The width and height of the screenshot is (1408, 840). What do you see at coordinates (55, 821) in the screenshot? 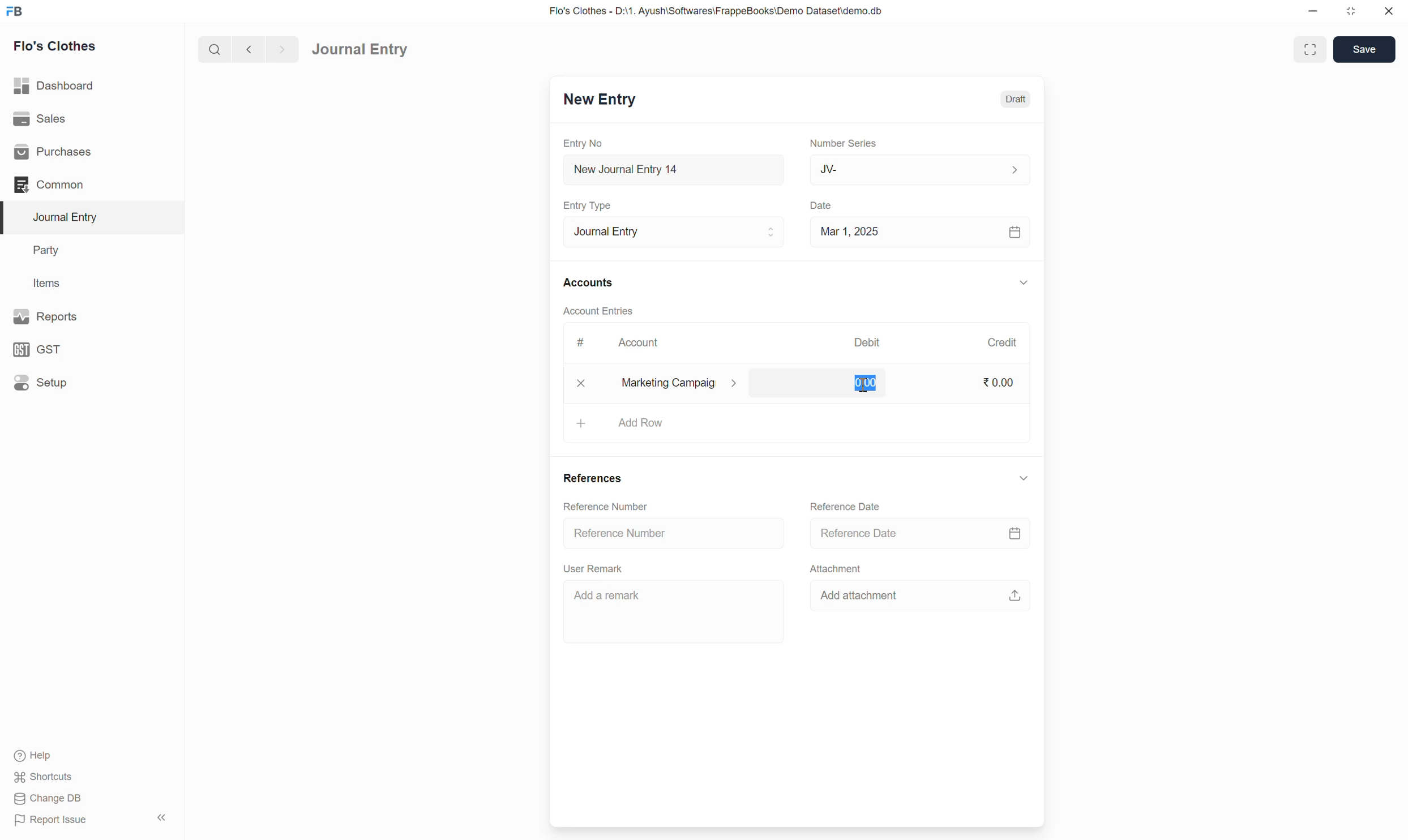
I see `Report Issue` at bounding box center [55, 821].